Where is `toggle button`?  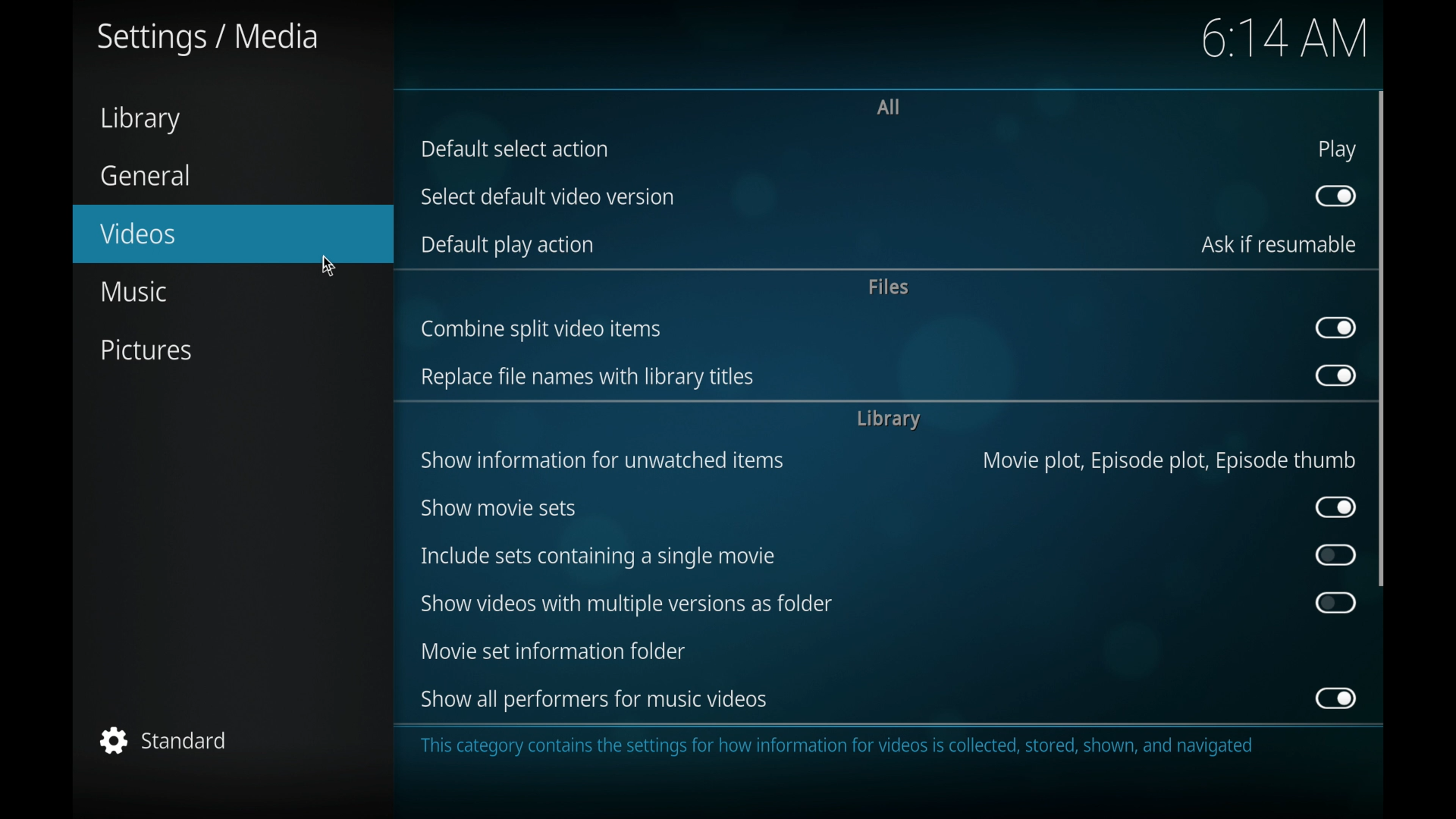
toggle button is located at coordinates (1335, 698).